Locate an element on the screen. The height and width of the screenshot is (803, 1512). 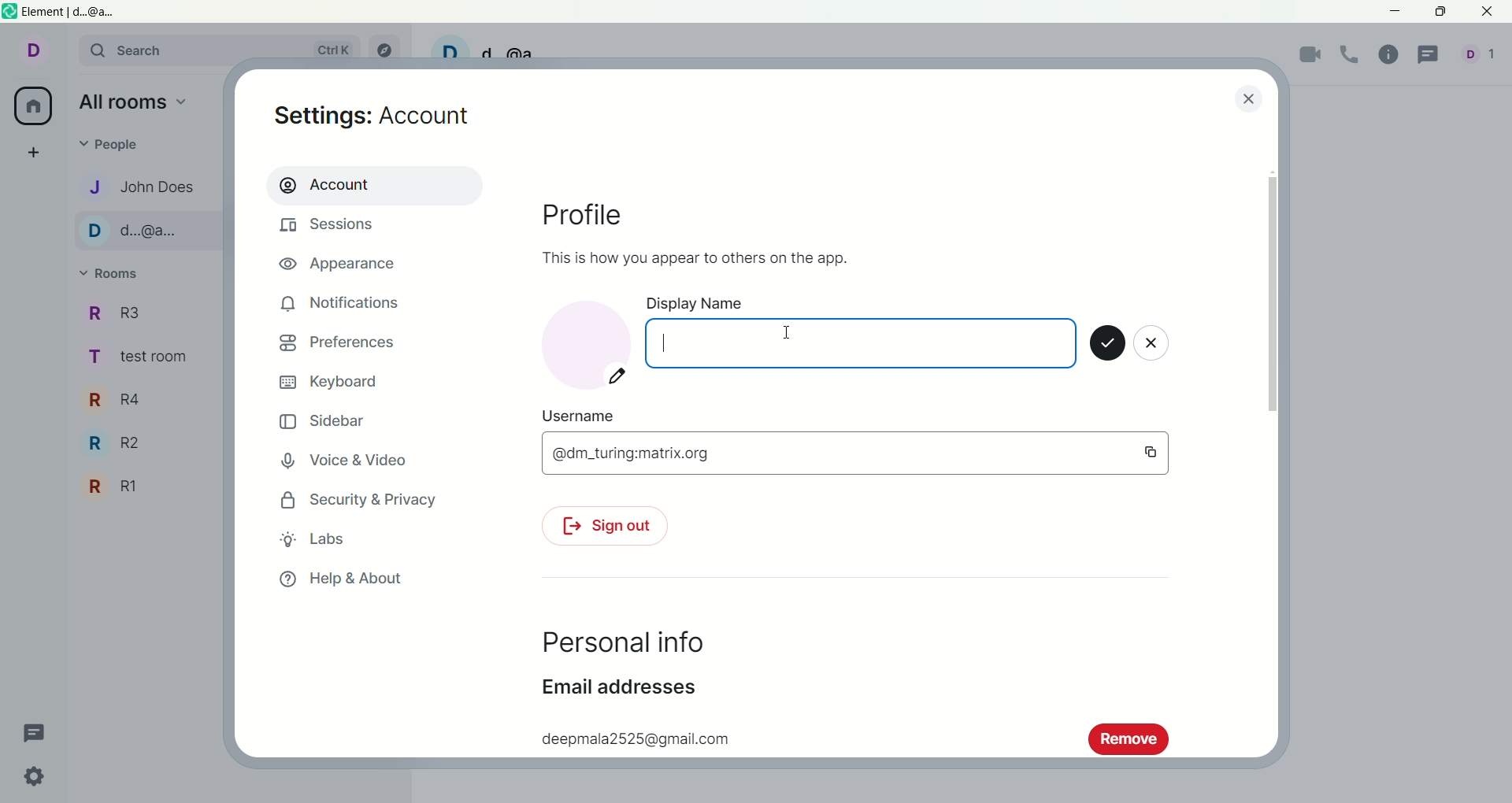
help and about is located at coordinates (341, 580).